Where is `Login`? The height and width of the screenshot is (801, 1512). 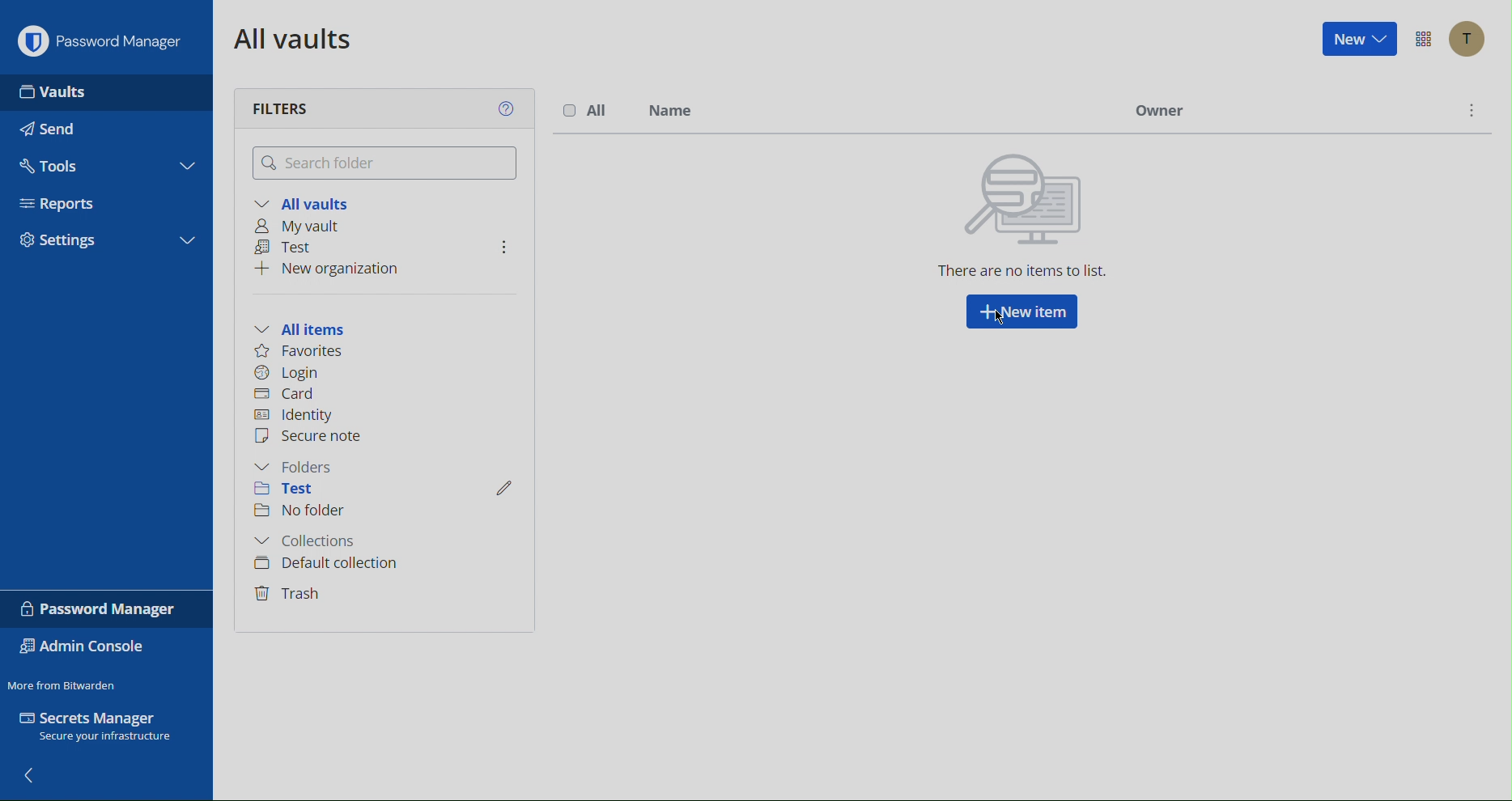 Login is located at coordinates (290, 375).